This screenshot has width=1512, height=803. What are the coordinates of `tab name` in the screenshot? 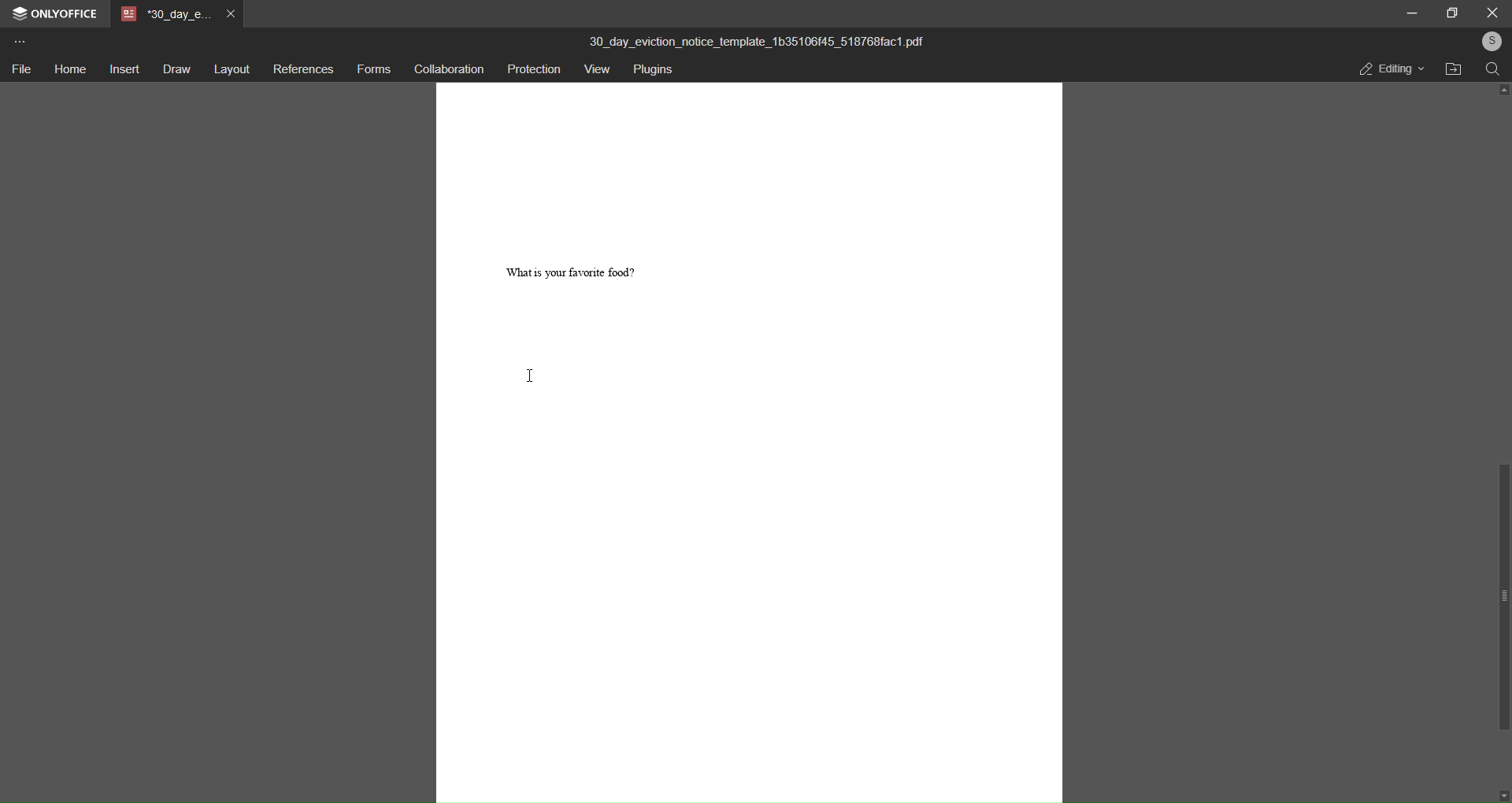 It's located at (164, 16).